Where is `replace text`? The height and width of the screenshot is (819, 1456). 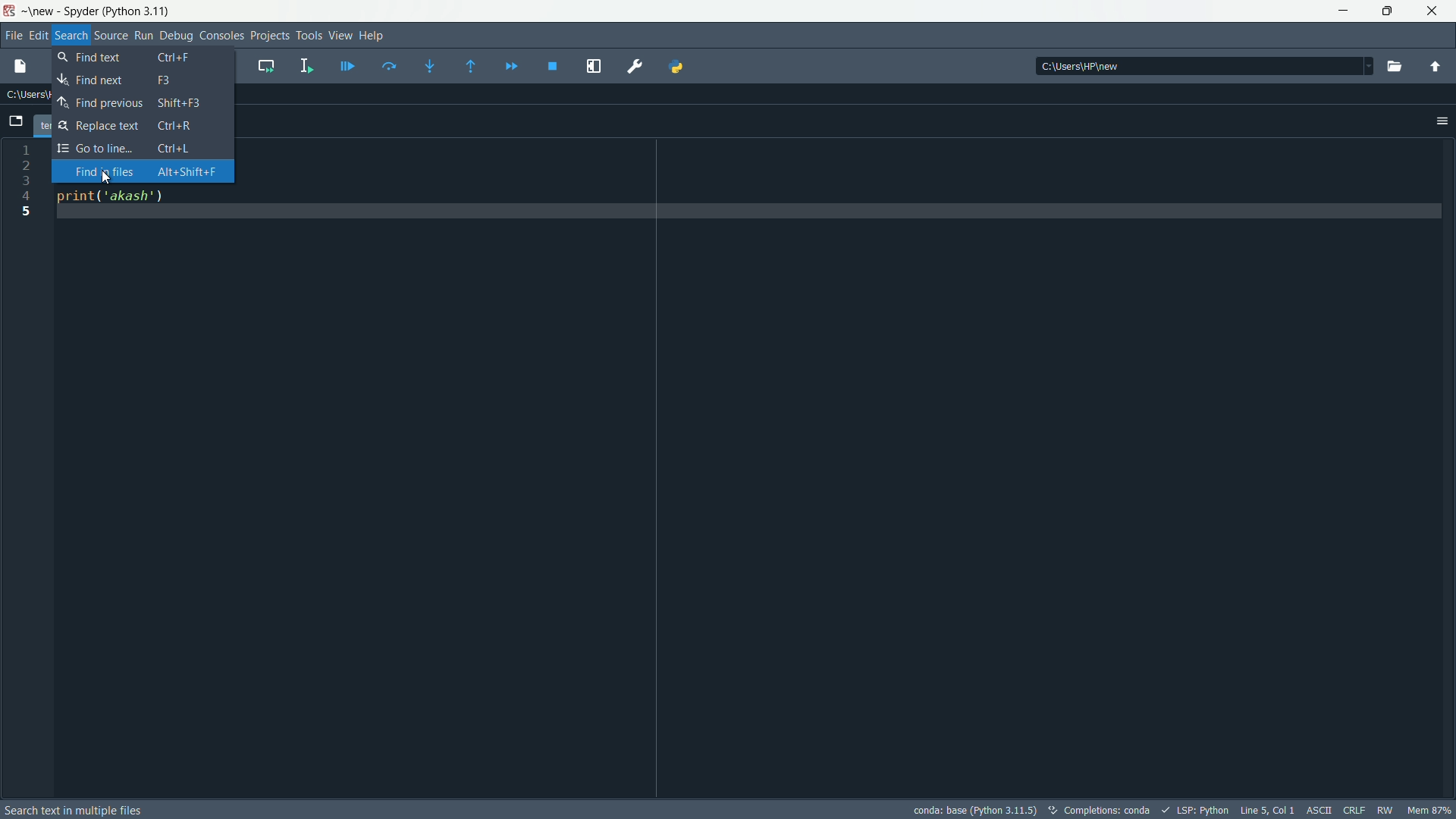 replace text is located at coordinates (137, 126).